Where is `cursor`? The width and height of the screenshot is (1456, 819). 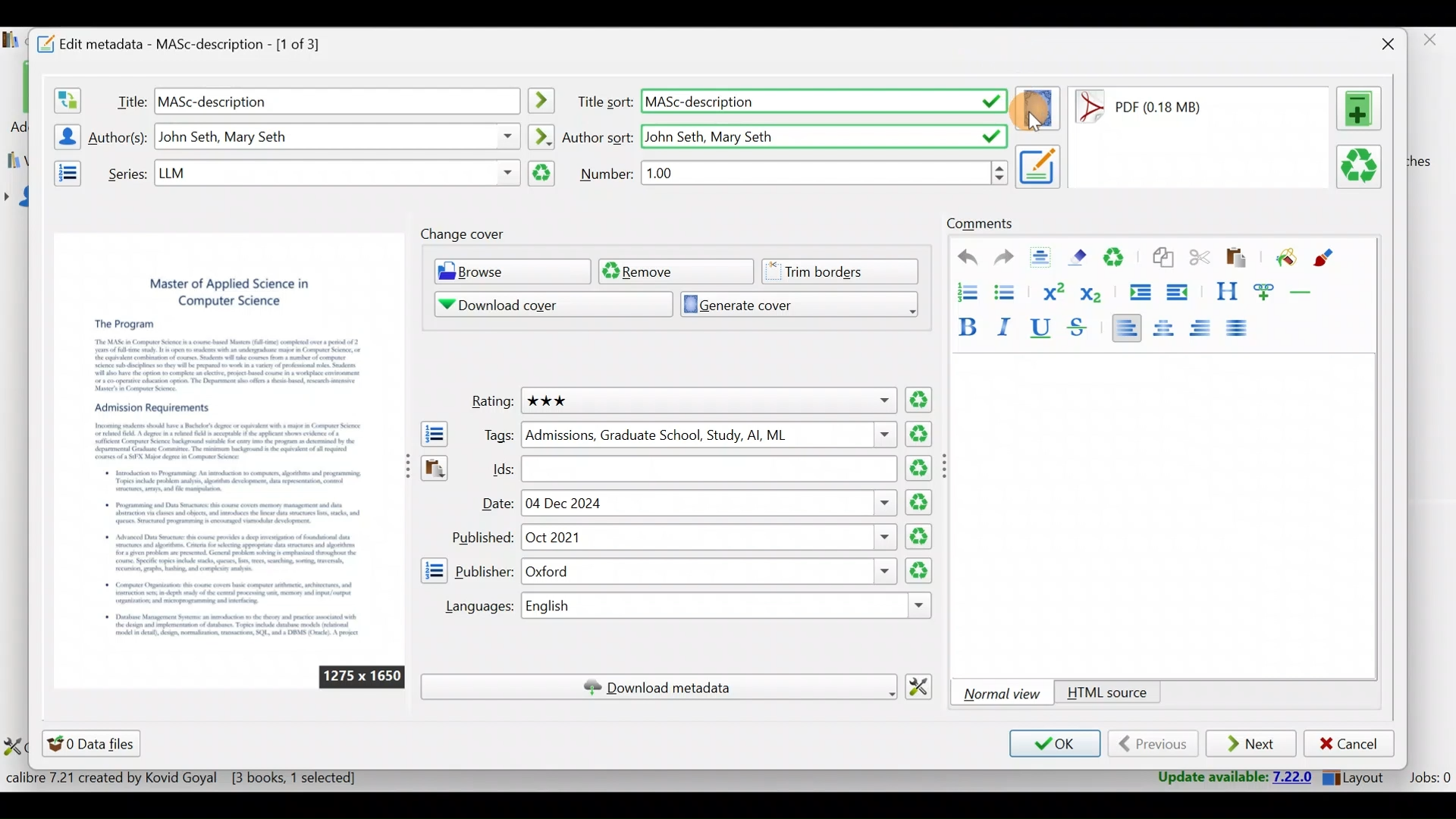 cursor is located at coordinates (1040, 125).